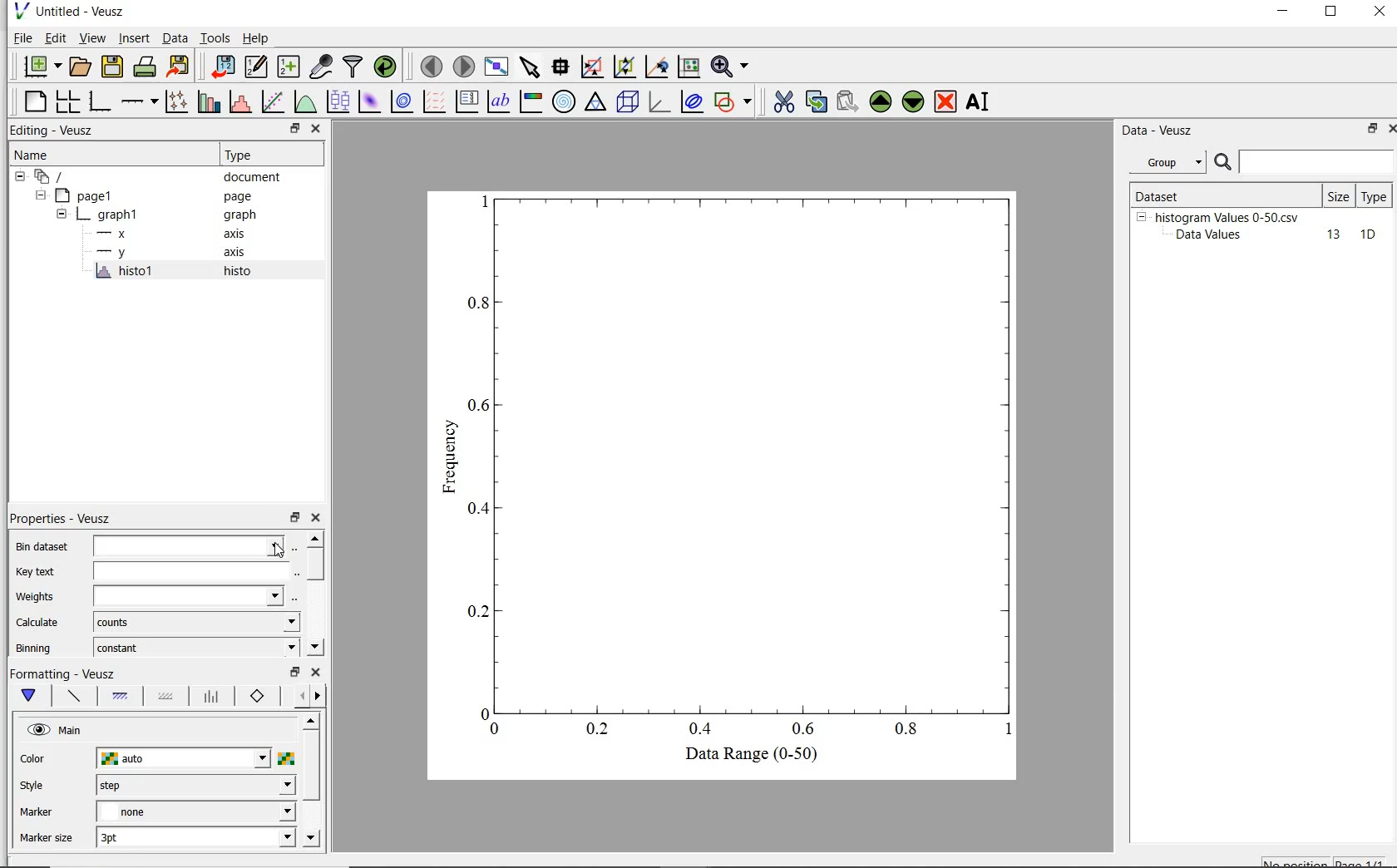  I want to click on hide main, so click(57, 731).